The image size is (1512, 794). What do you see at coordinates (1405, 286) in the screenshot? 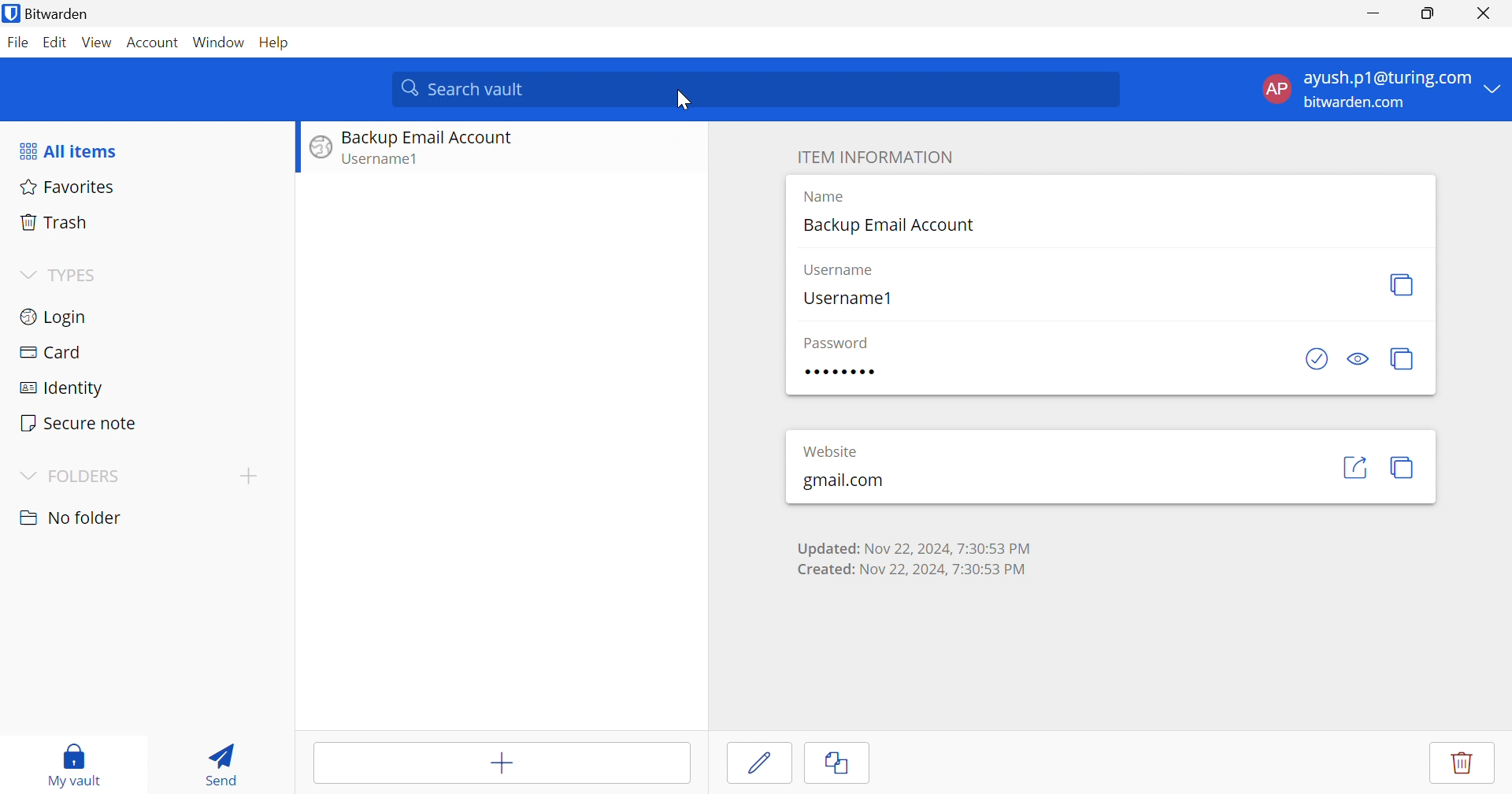
I see `copy` at bounding box center [1405, 286].